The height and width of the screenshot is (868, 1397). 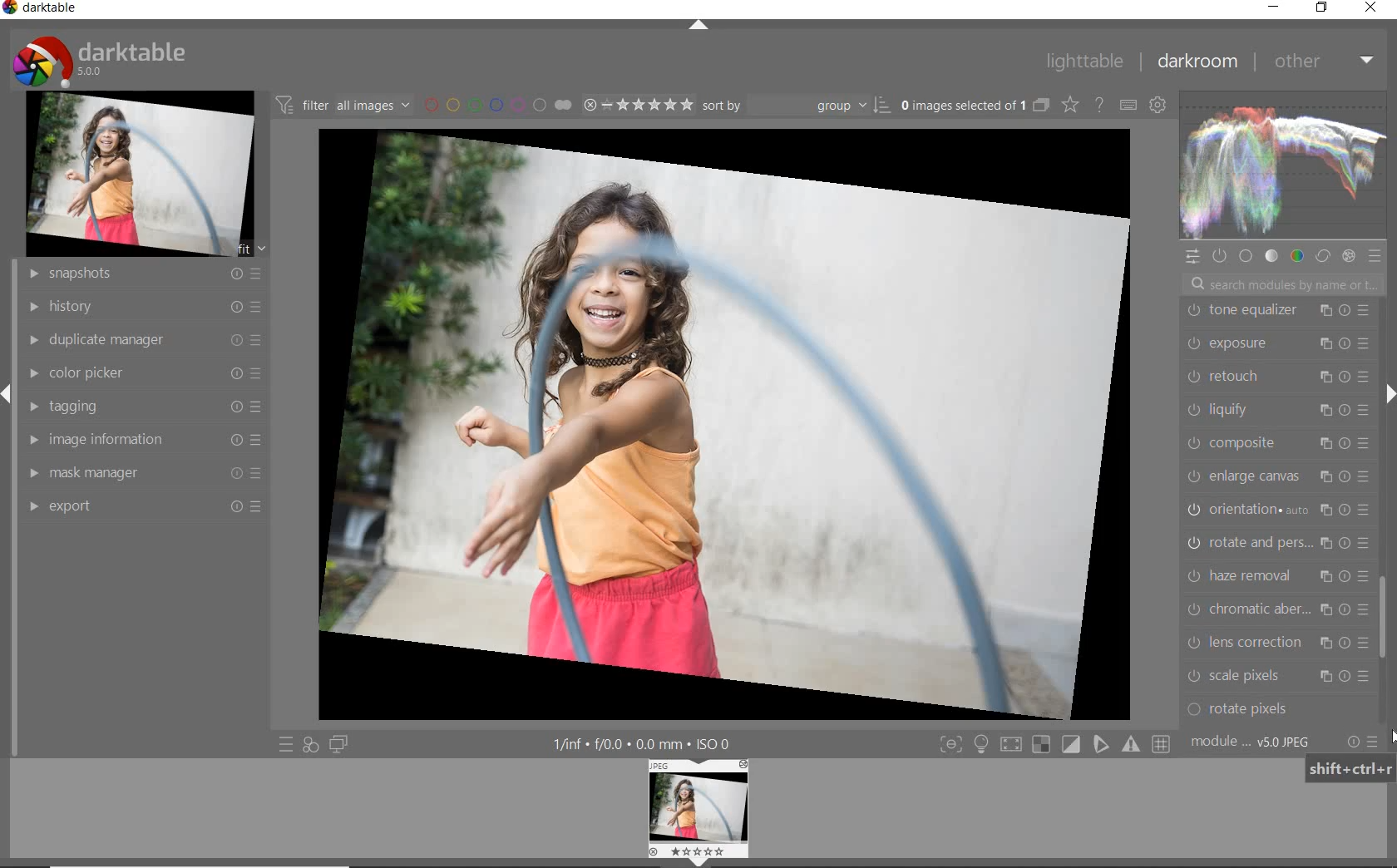 What do you see at coordinates (1246, 257) in the screenshot?
I see `base` at bounding box center [1246, 257].